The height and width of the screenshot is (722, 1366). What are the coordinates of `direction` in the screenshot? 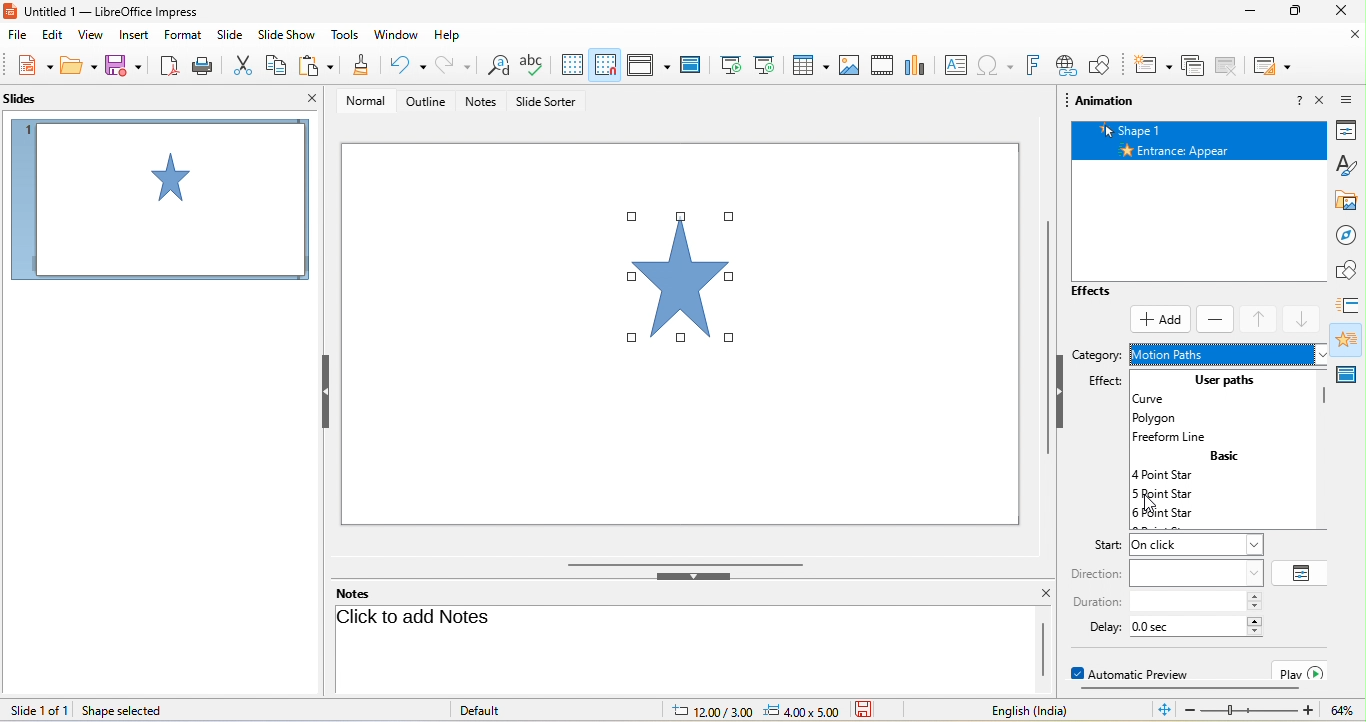 It's located at (1097, 574).